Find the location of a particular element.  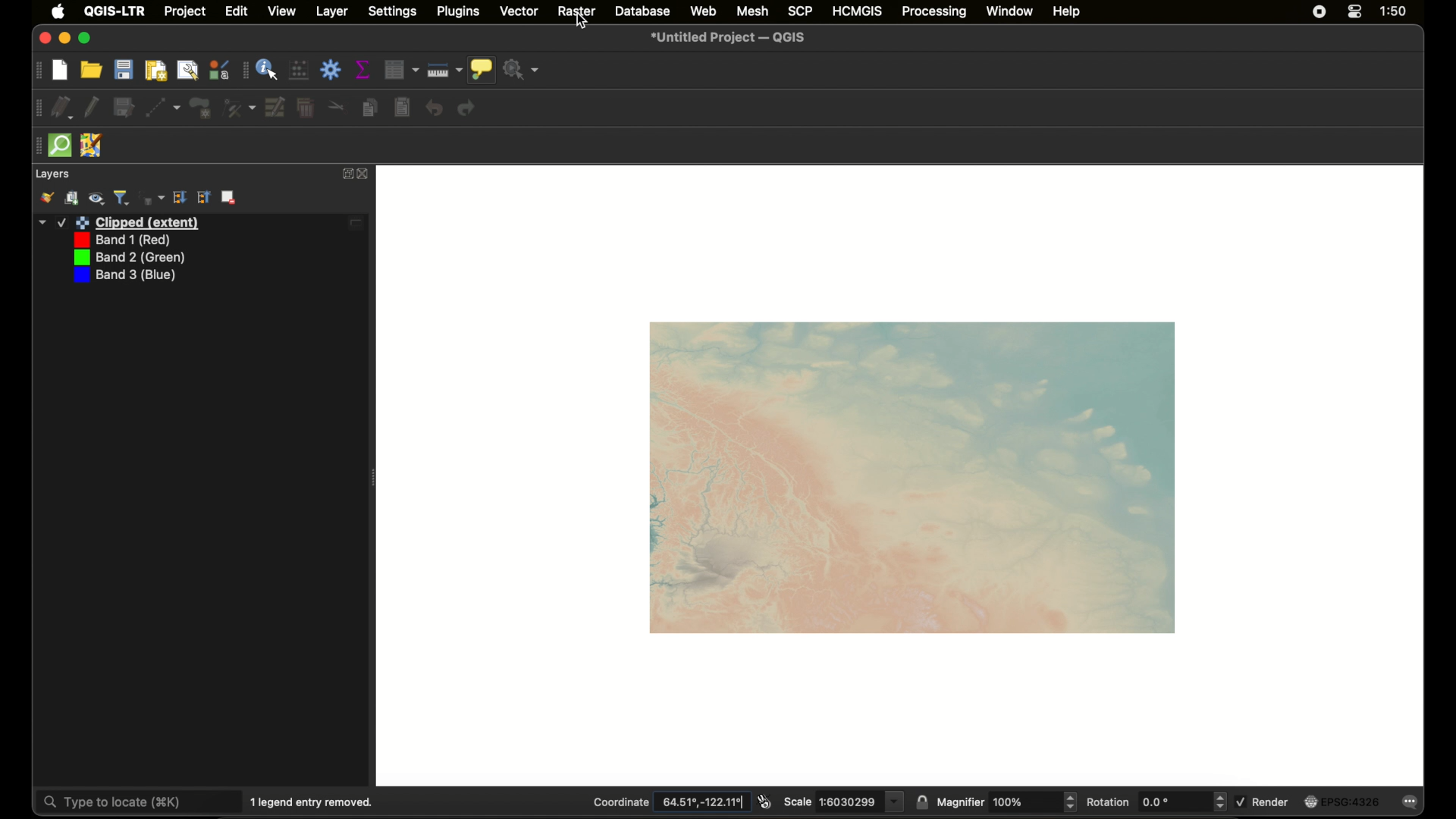

digitize with segment is located at coordinates (164, 108).